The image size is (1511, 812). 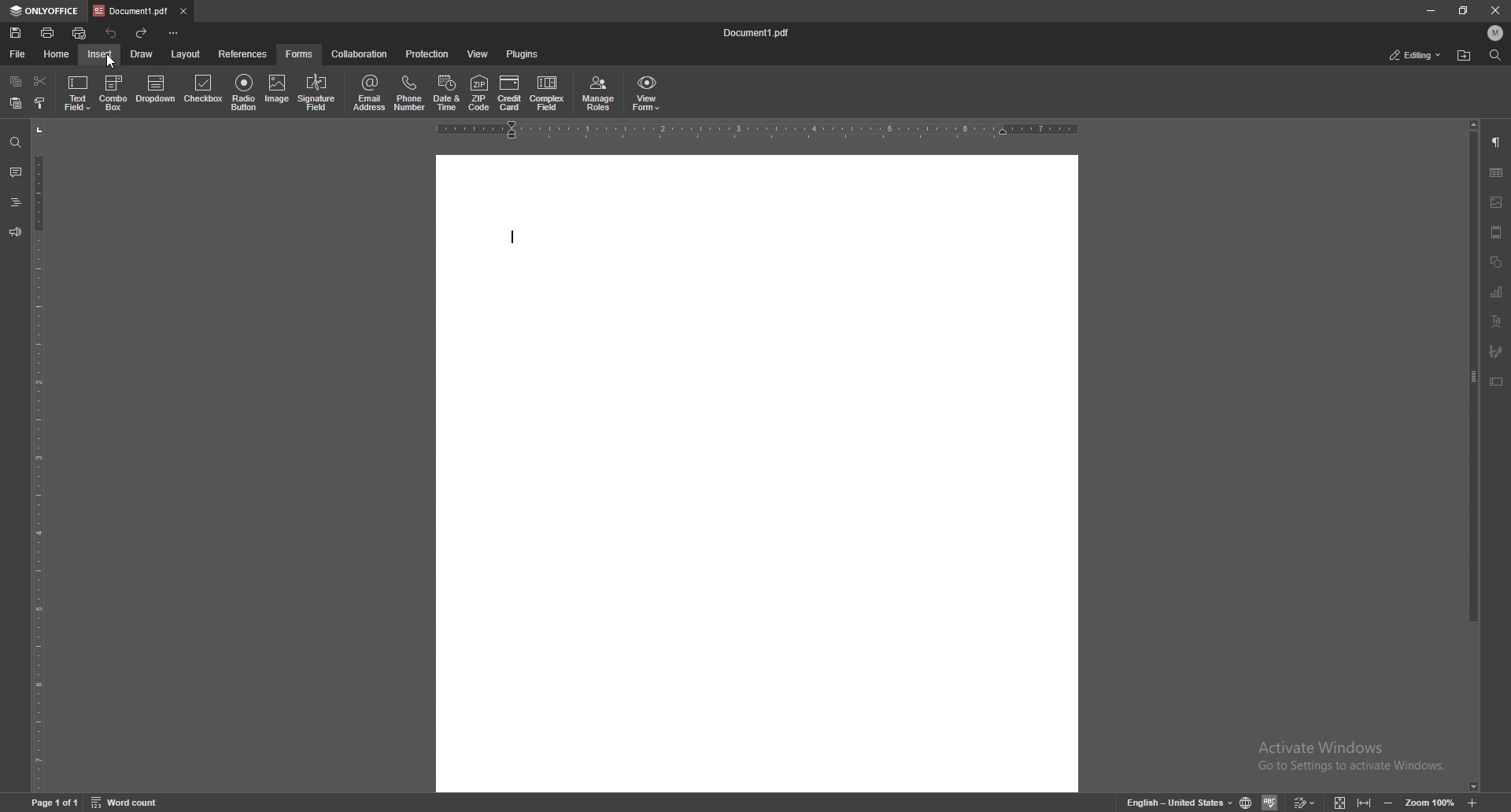 I want to click on cursor, so click(x=113, y=62).